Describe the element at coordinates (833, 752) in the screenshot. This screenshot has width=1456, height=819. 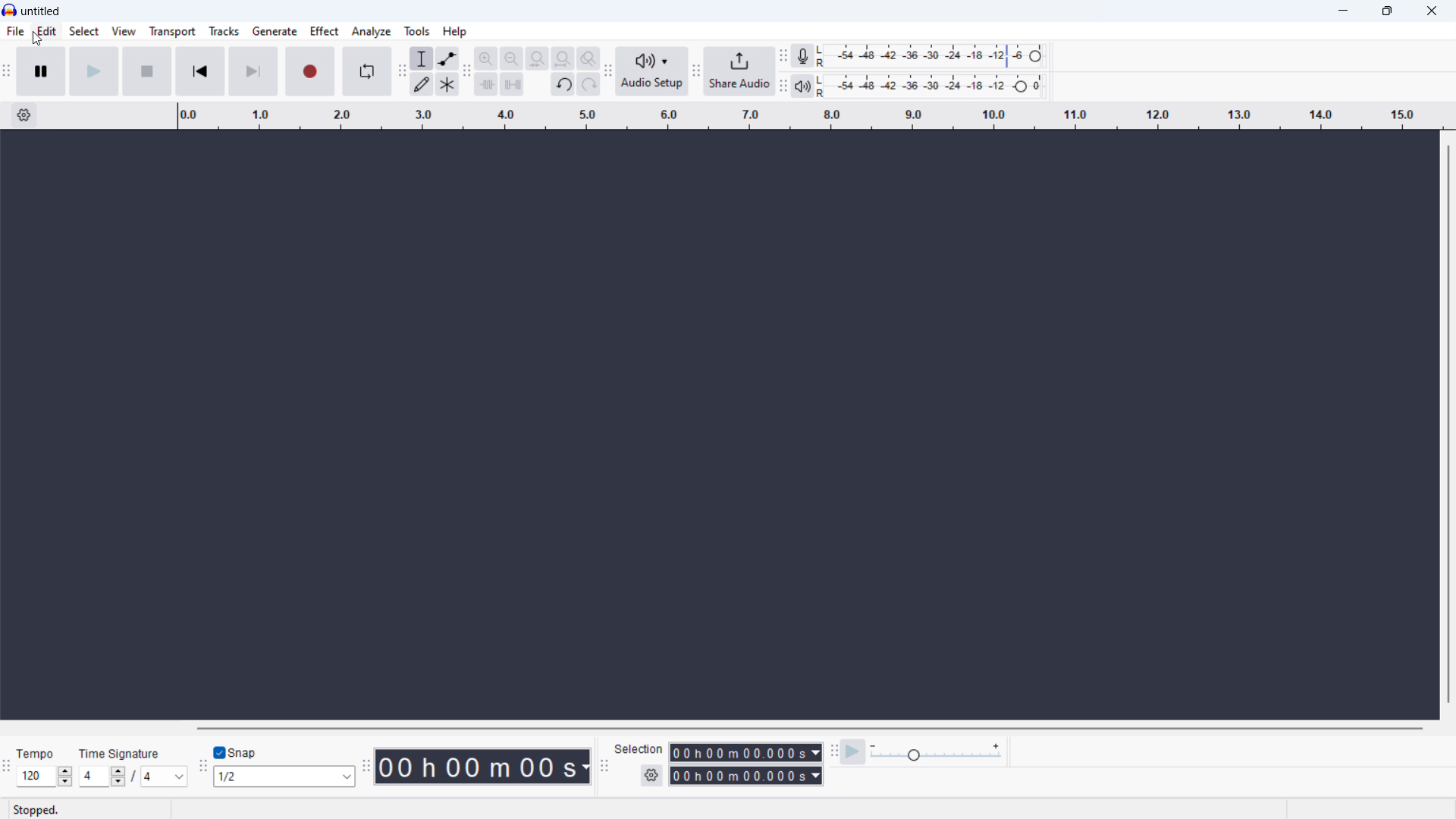
I see `play at speed toolbar` at that location.